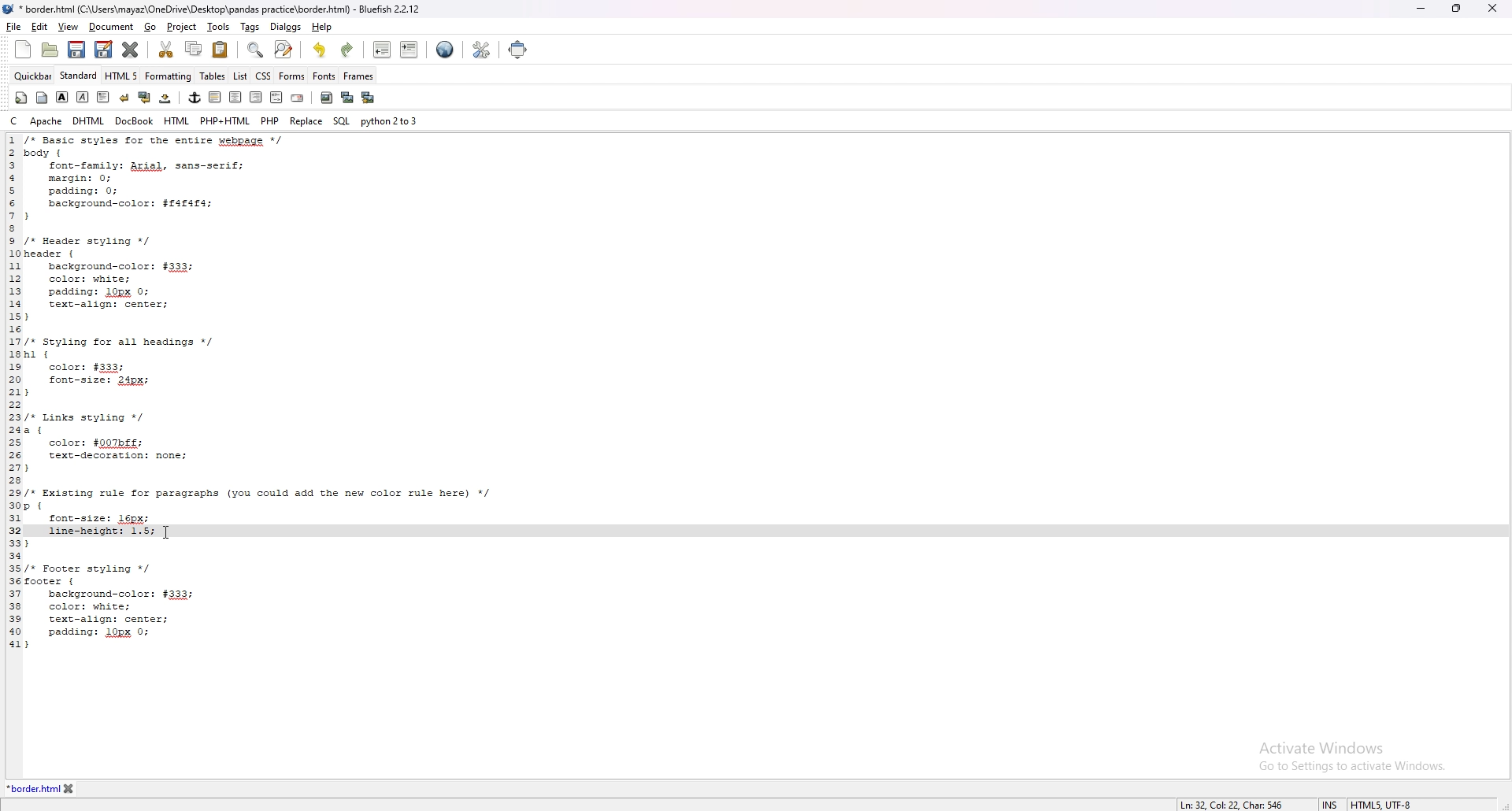 This screenshot has height=811, width=1512. What do you see at coordinates (298, 97) in the screenshot?
I see `email` at bounding box center [298, 97].